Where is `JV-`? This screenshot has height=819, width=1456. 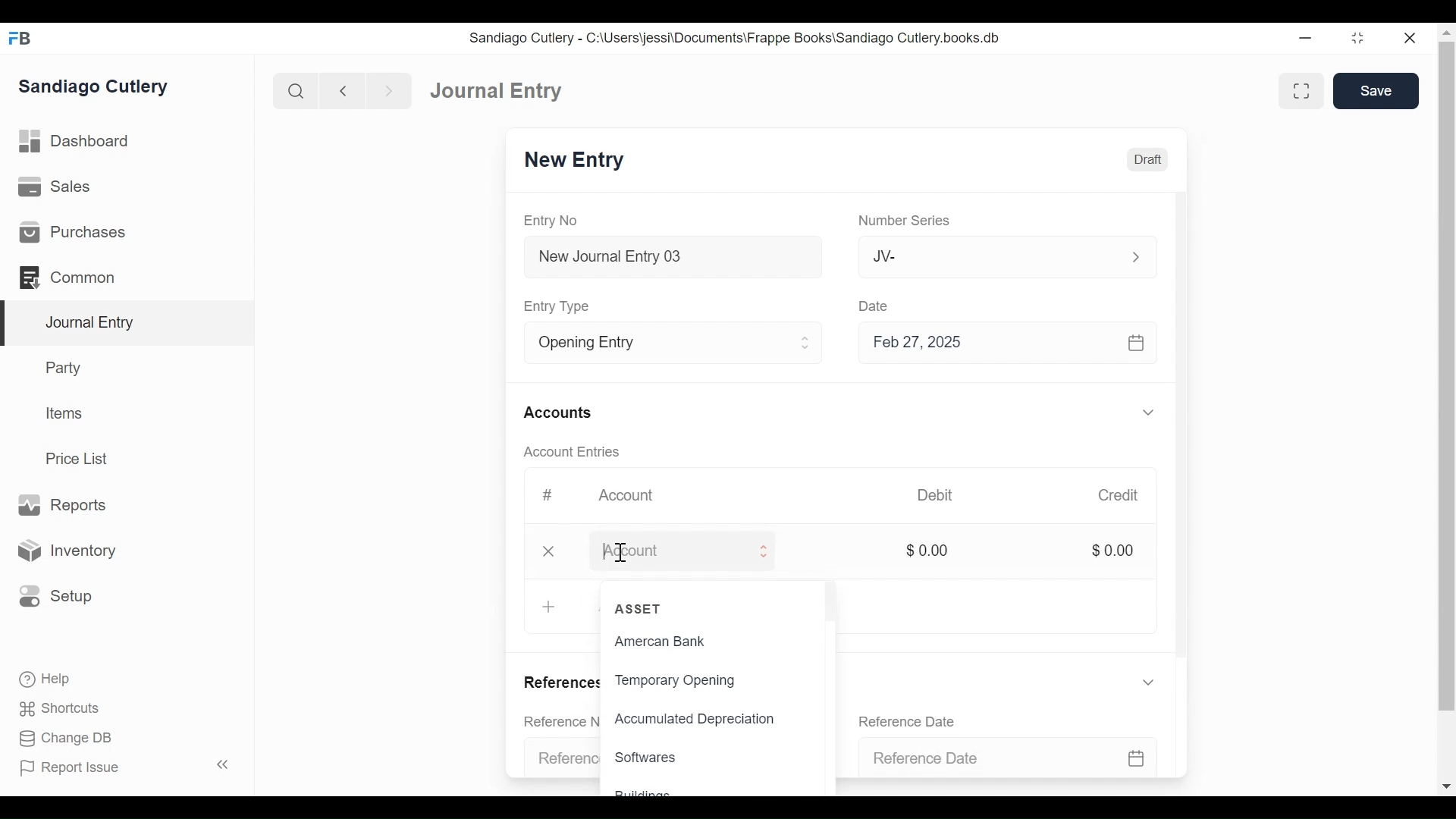
JV- is located at coordinates (983, 256).